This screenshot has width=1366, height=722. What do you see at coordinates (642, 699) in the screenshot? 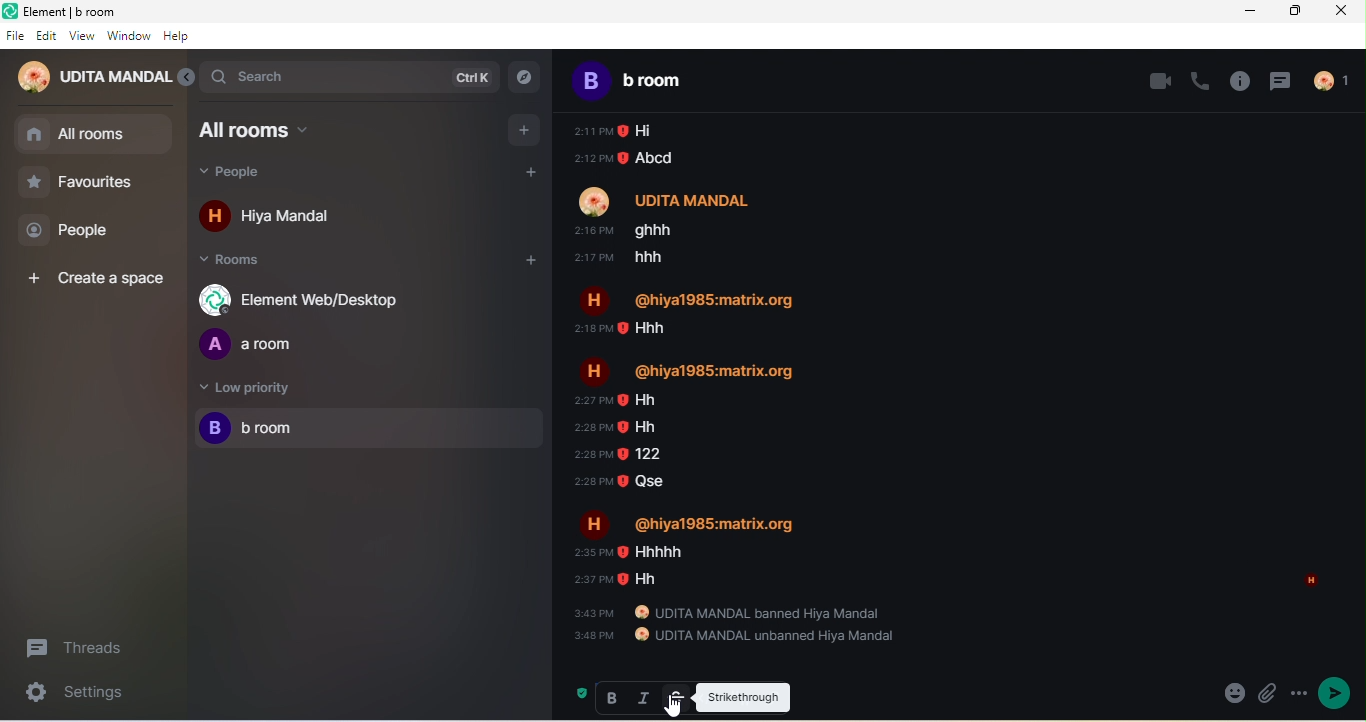
I see `italic` at bounding box center [642, 699].